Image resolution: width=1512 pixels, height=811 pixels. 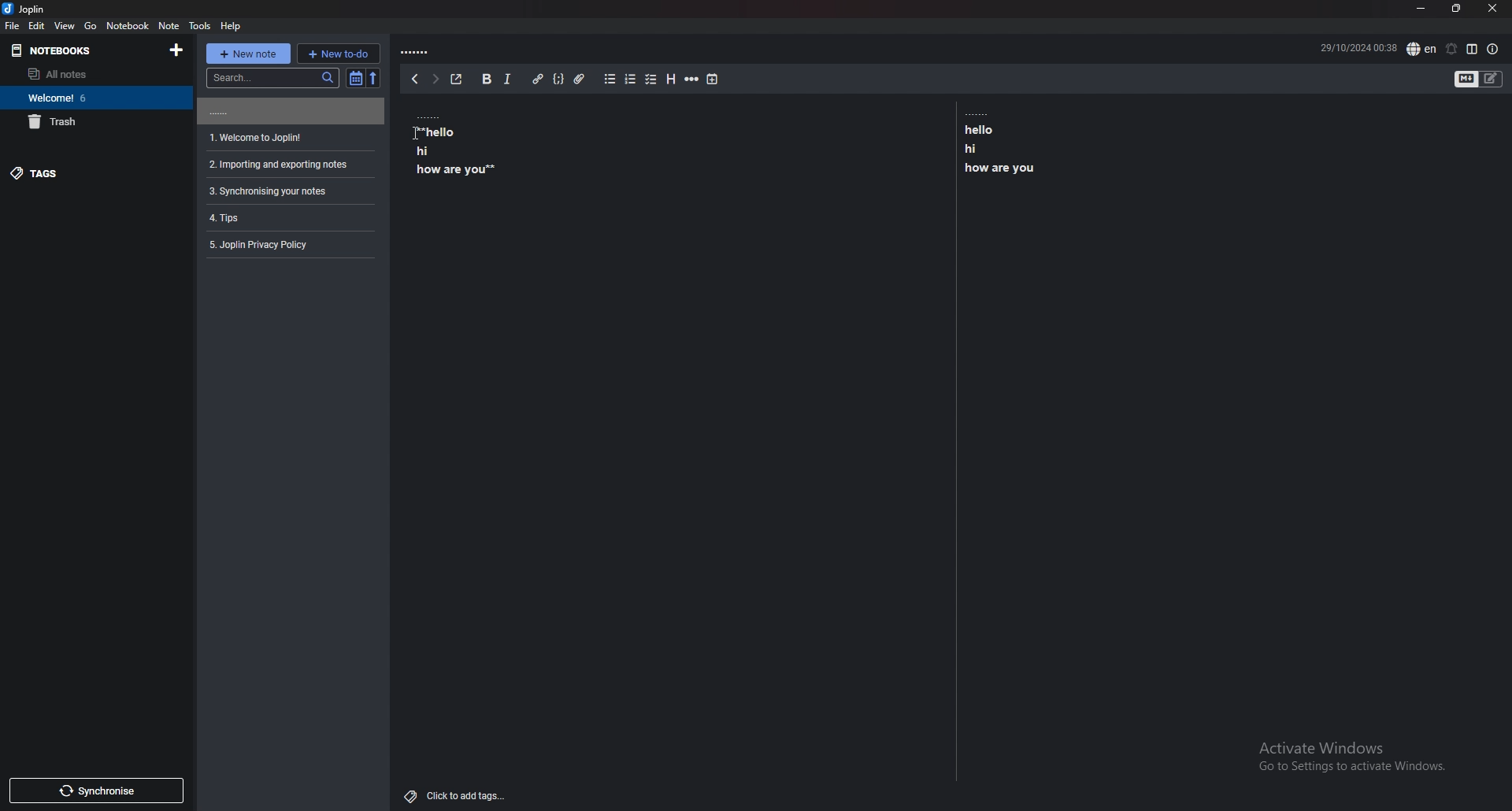 I want to click on close, so click(x=1493, y=8).